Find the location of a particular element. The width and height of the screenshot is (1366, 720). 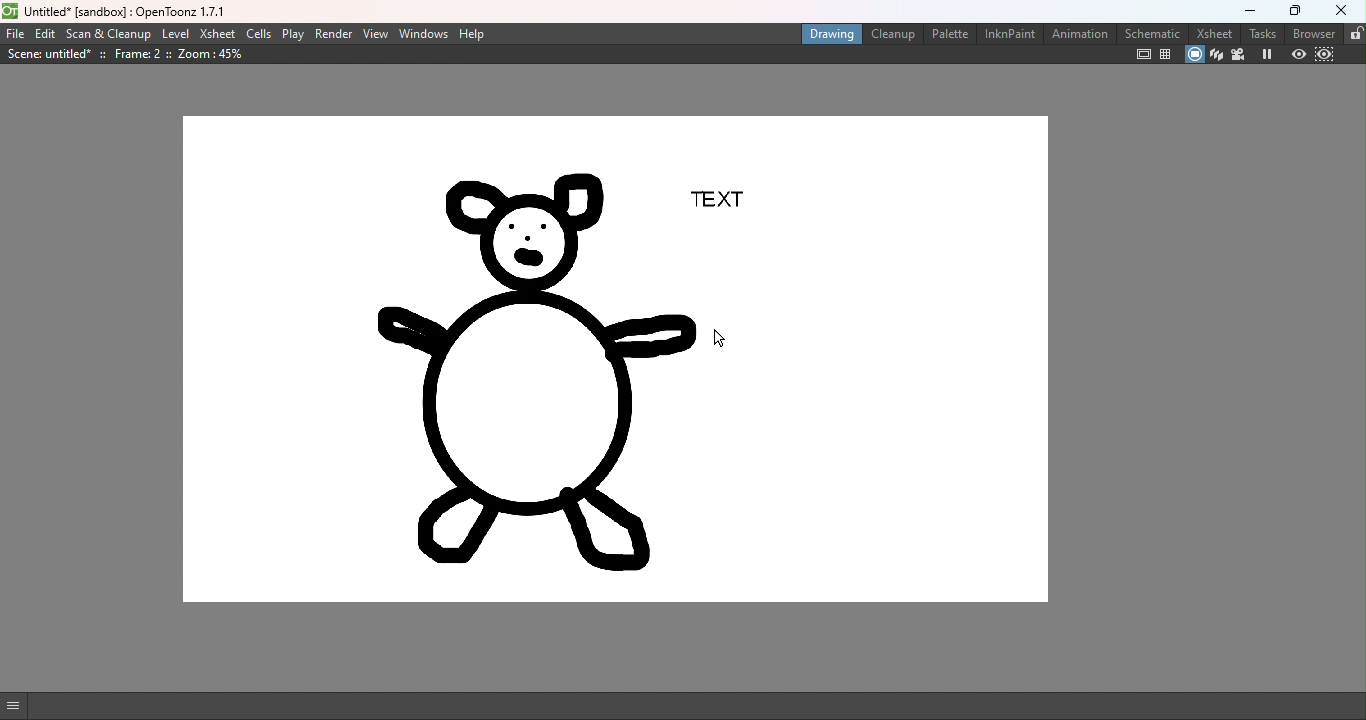

Camera stand view is located at coordinates (1192, 54).